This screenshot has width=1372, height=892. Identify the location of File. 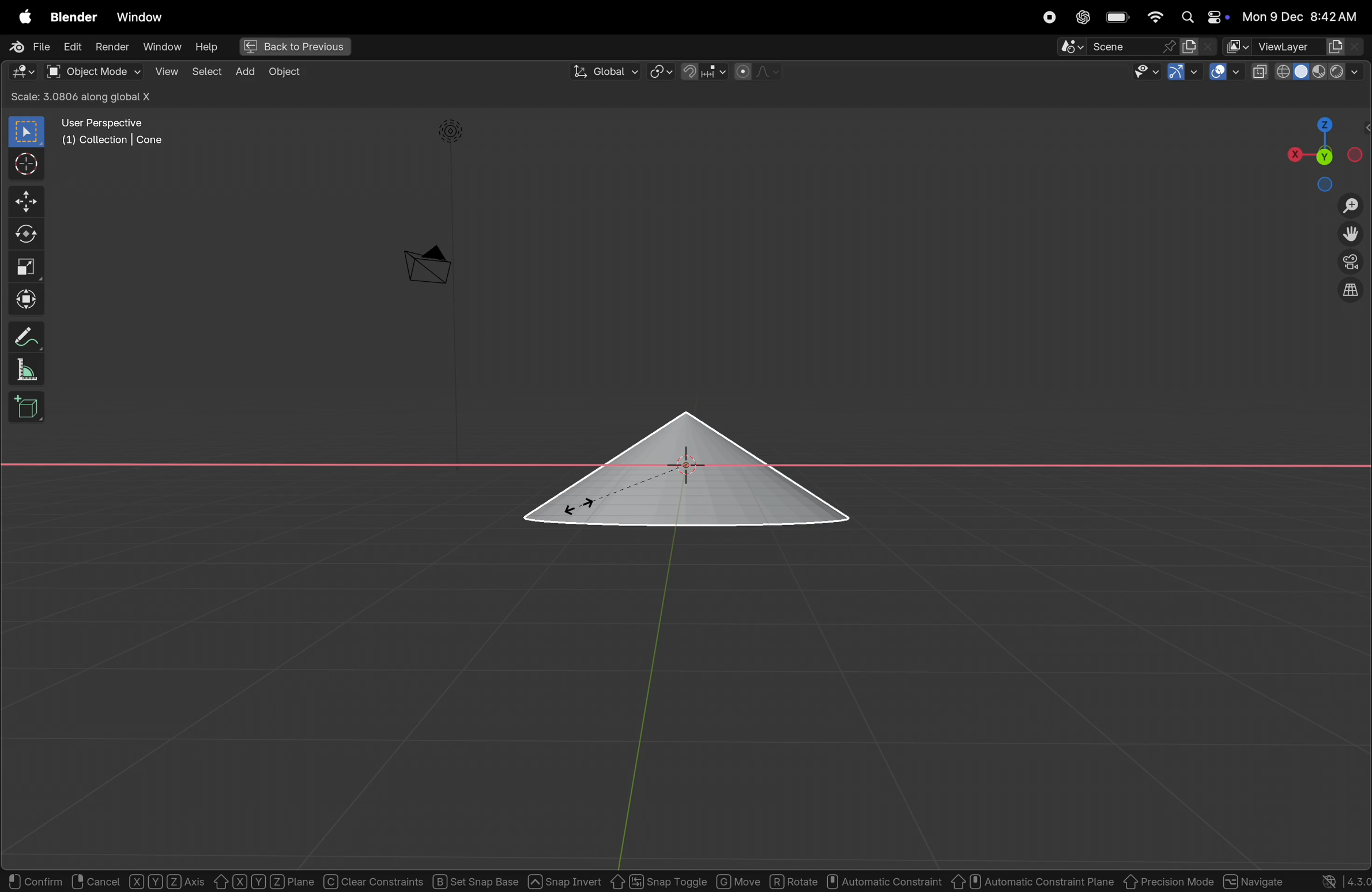
(29, 46).